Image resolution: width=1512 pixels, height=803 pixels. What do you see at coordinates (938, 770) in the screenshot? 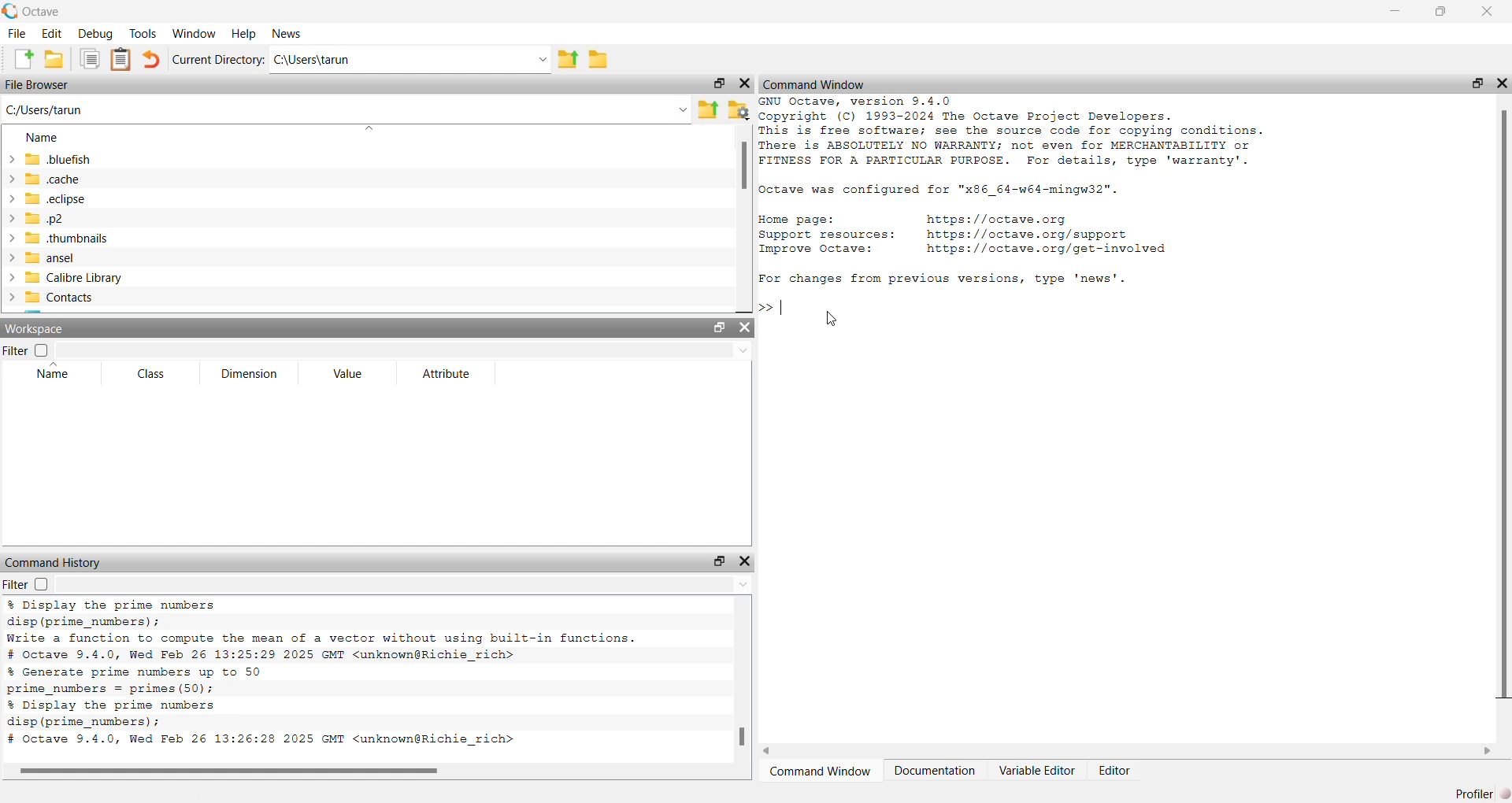
I see `Documentation` at bounding box center [938, 770].